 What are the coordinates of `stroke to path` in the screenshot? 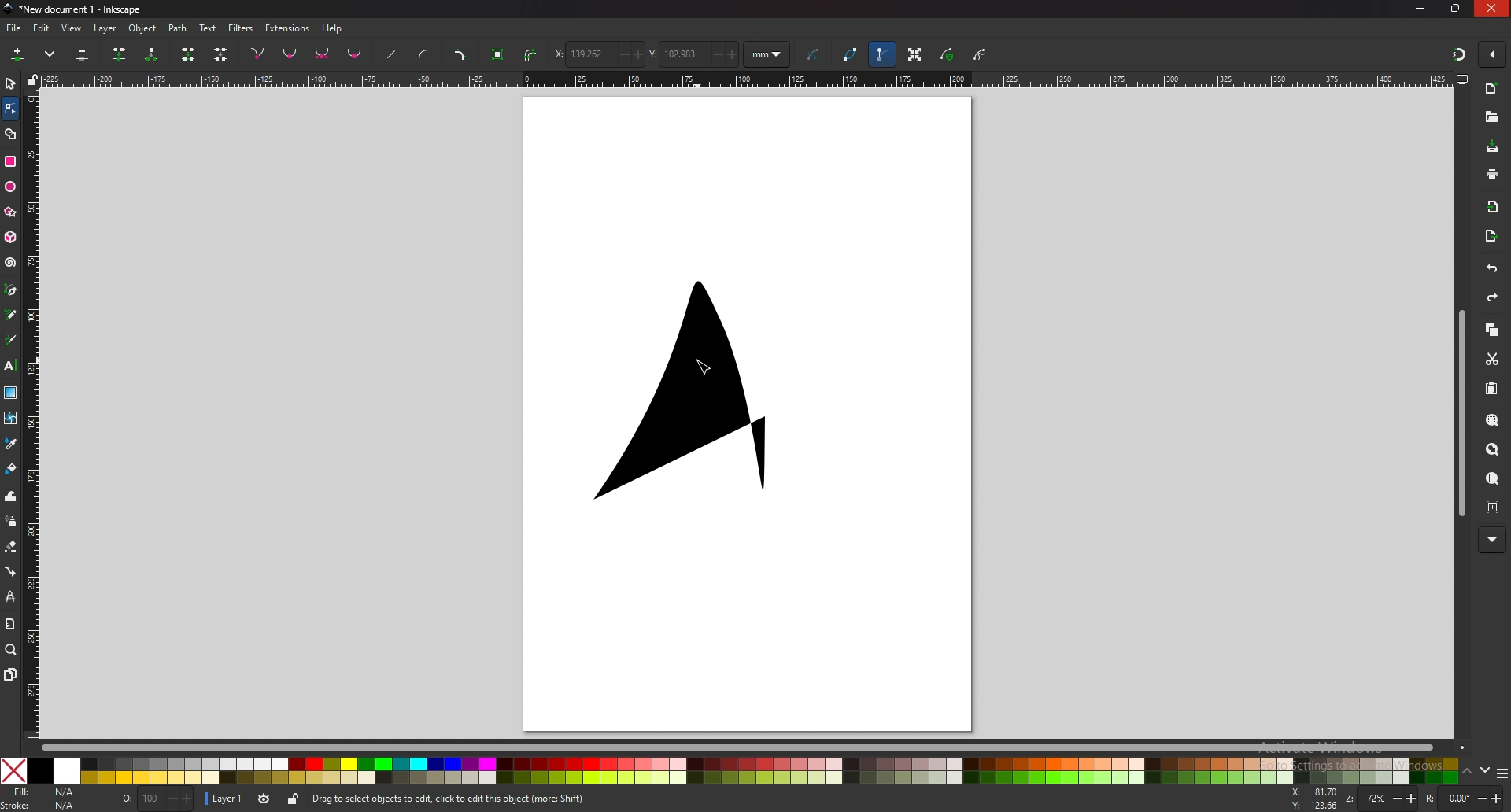 It's located at (533, 54).